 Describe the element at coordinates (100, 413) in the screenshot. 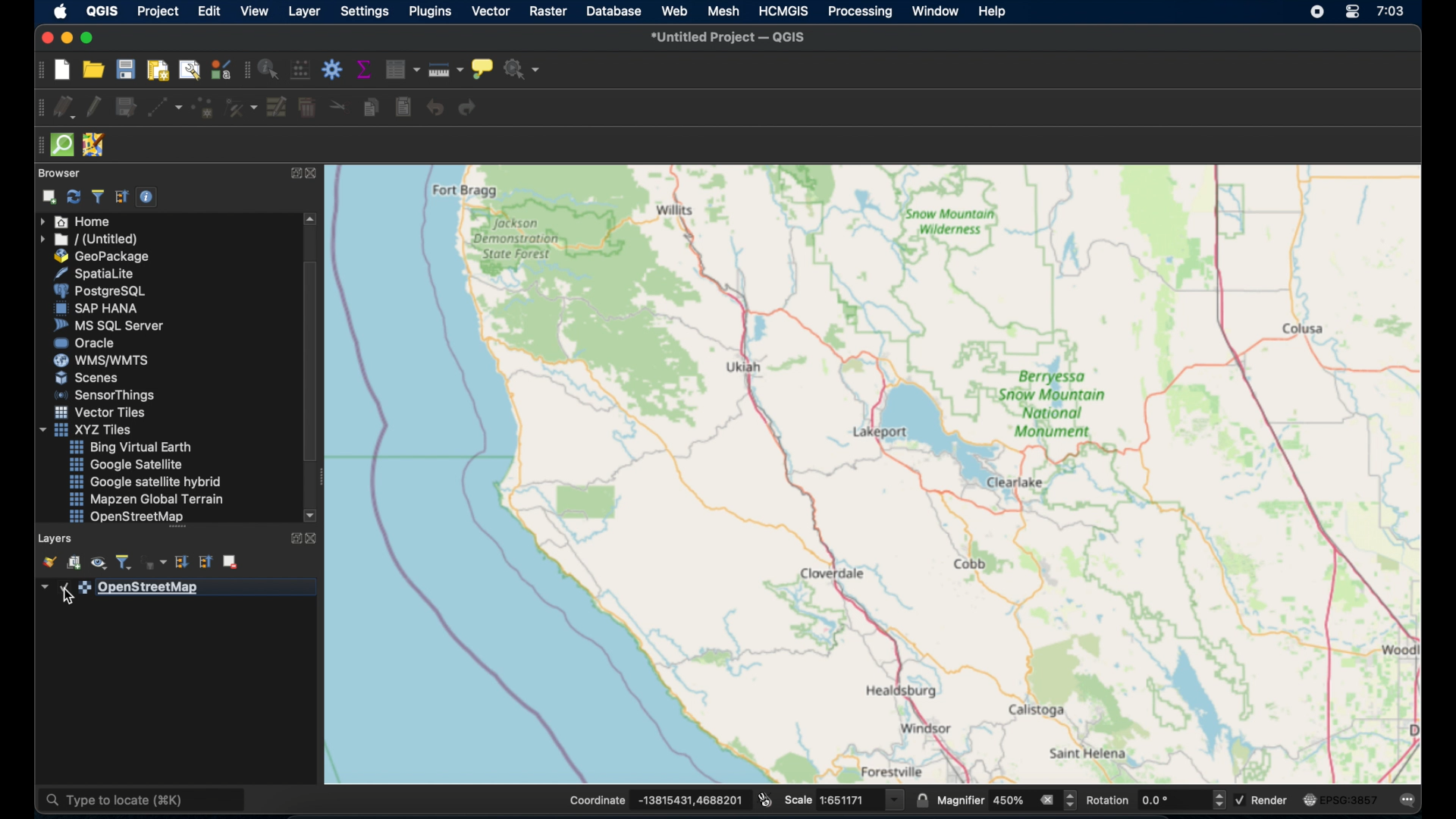

I see `vector tiles` at that location.